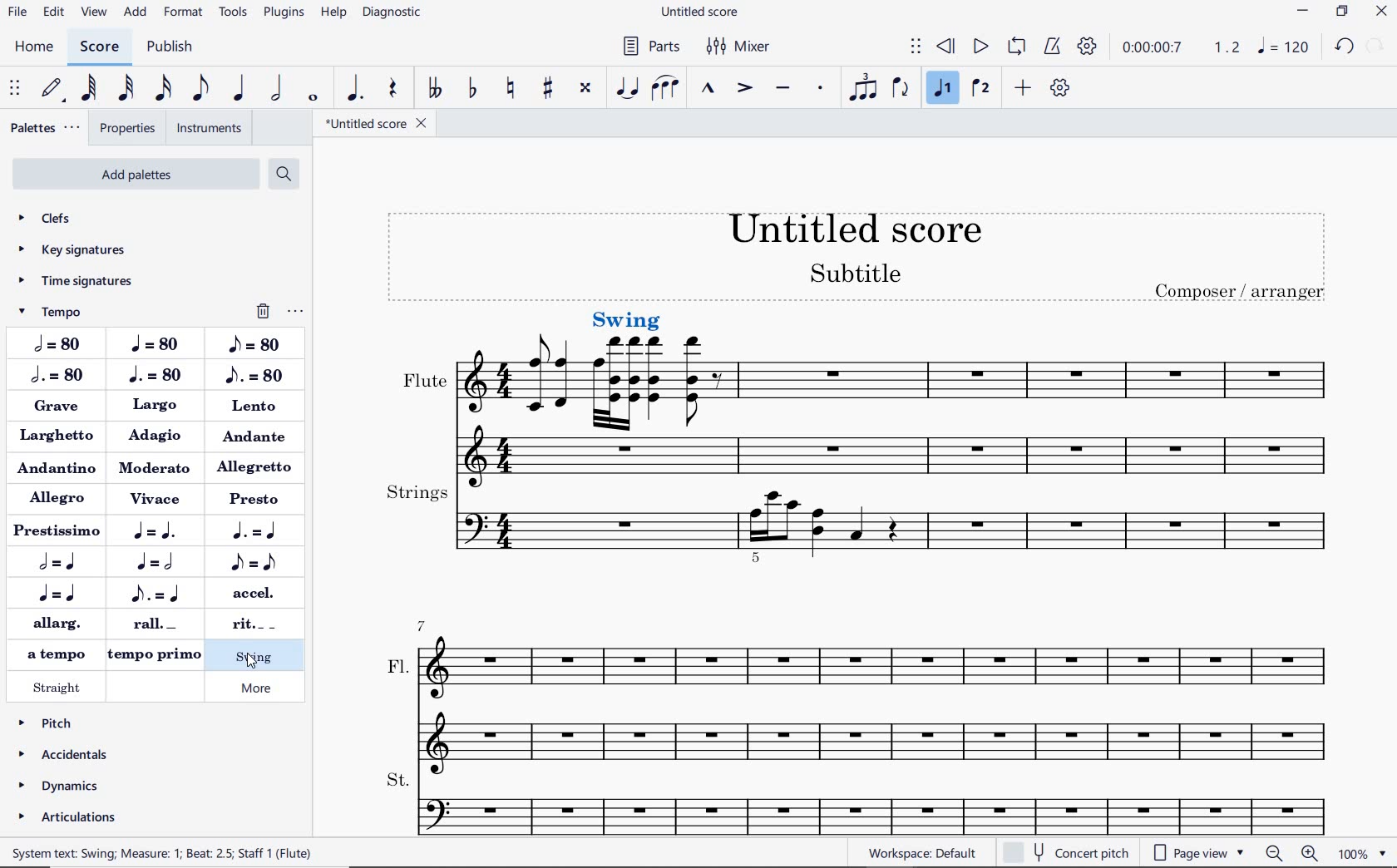 The height and width of the screenshot is (868, 1397). Describe the element at coordinates (155, 407) in the screenshot. I see `LARGO` at that location.